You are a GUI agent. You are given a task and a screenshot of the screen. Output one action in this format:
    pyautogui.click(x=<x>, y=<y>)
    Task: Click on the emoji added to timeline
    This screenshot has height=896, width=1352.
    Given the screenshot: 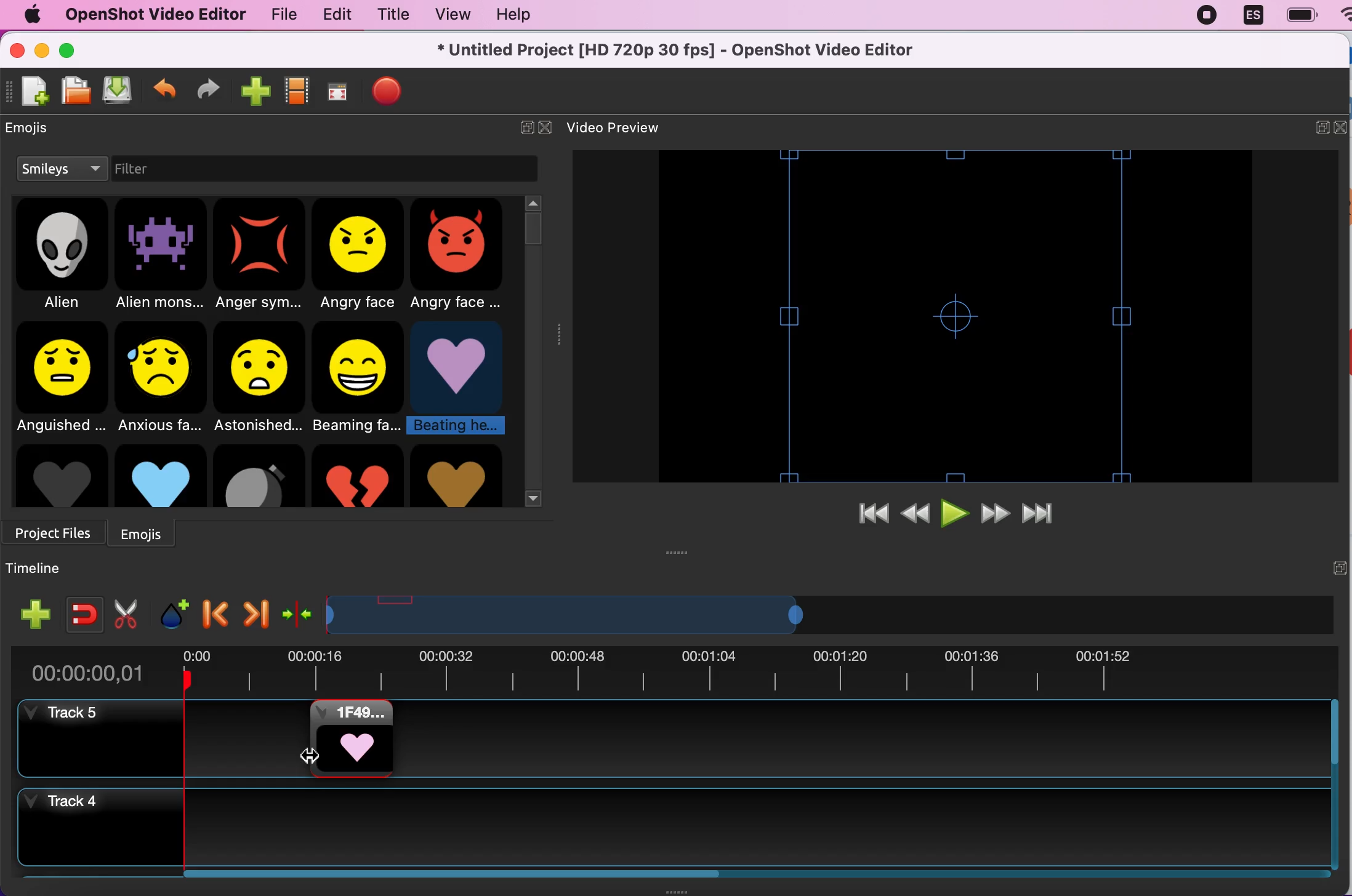 What is the action you would take?
    pyautogui.click(x=352, y=738)
    